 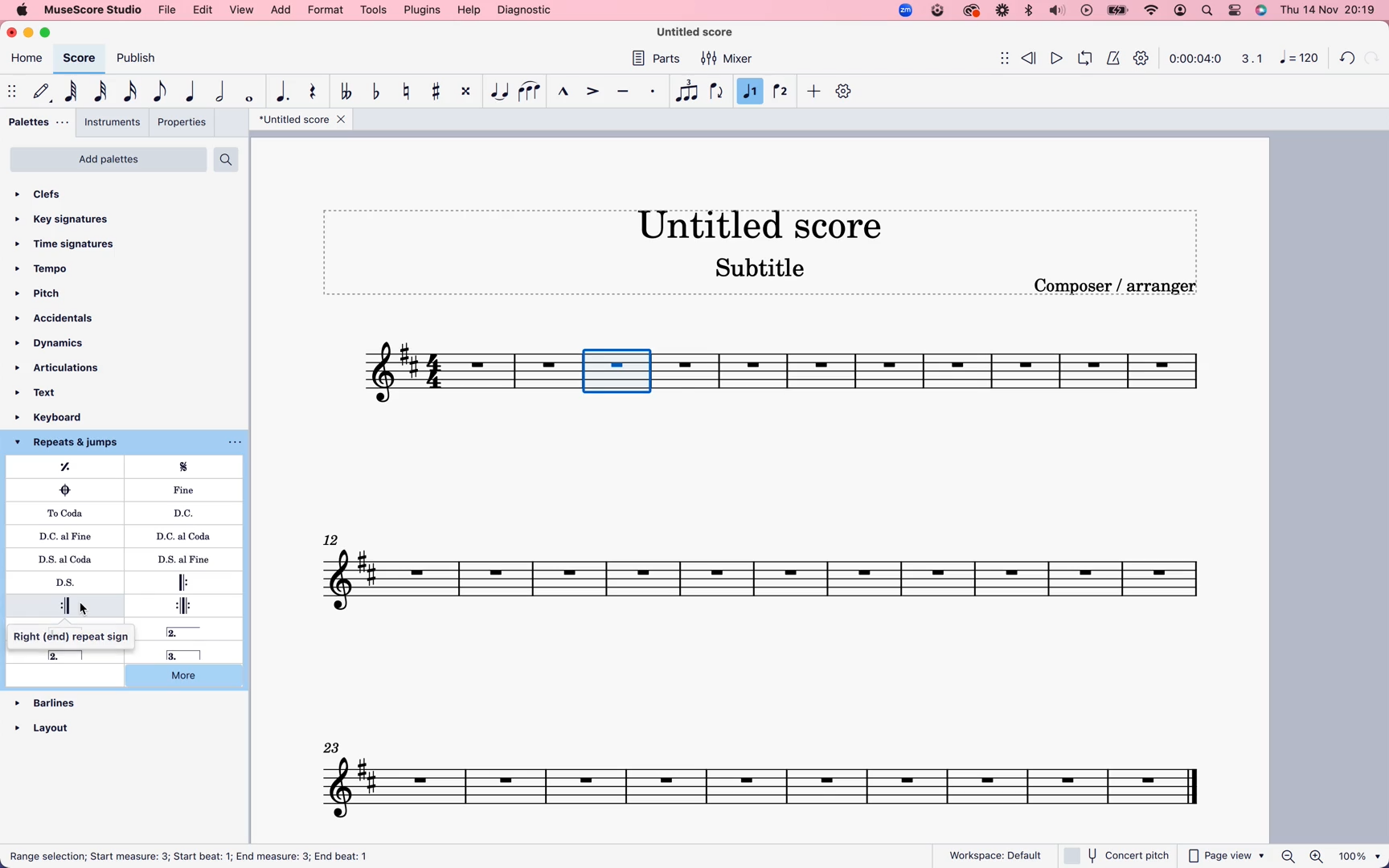 What do you see at coordinates (996, 852) in the screenshot?
I see `workspace` at bounding box center [996, 852].